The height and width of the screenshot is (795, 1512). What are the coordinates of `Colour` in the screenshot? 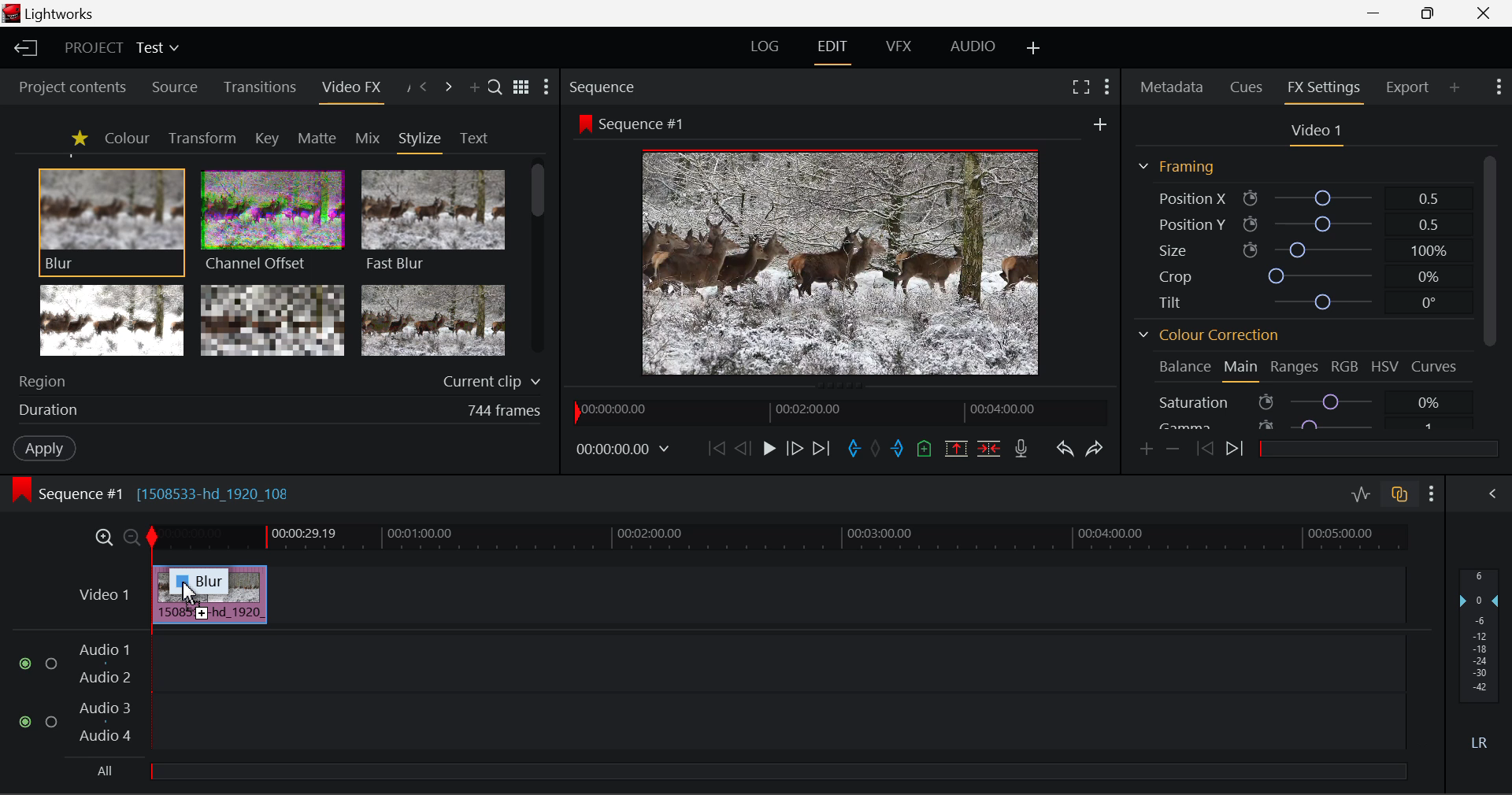 It's located at (126, 138).